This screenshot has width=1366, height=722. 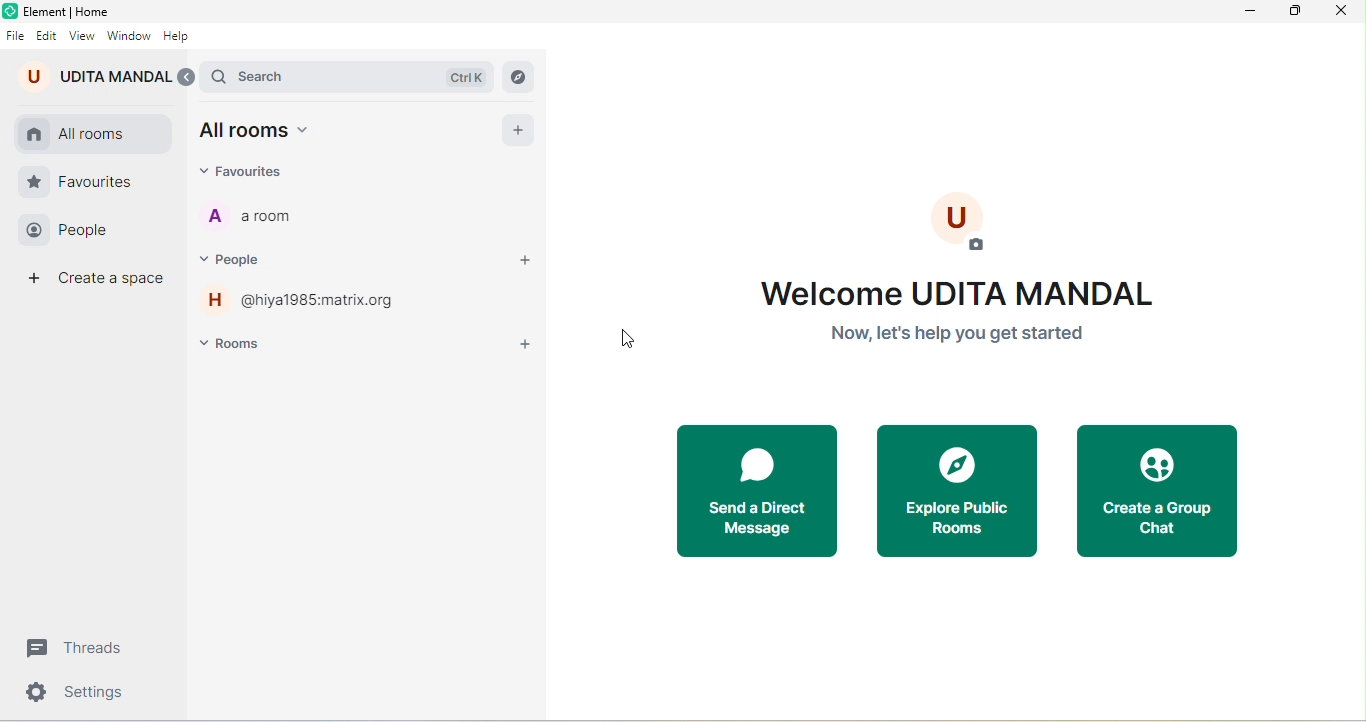 What do you see at coordinates (91, 280) in the screenshot?
I see `create a space` at bounding box center [91, 280].